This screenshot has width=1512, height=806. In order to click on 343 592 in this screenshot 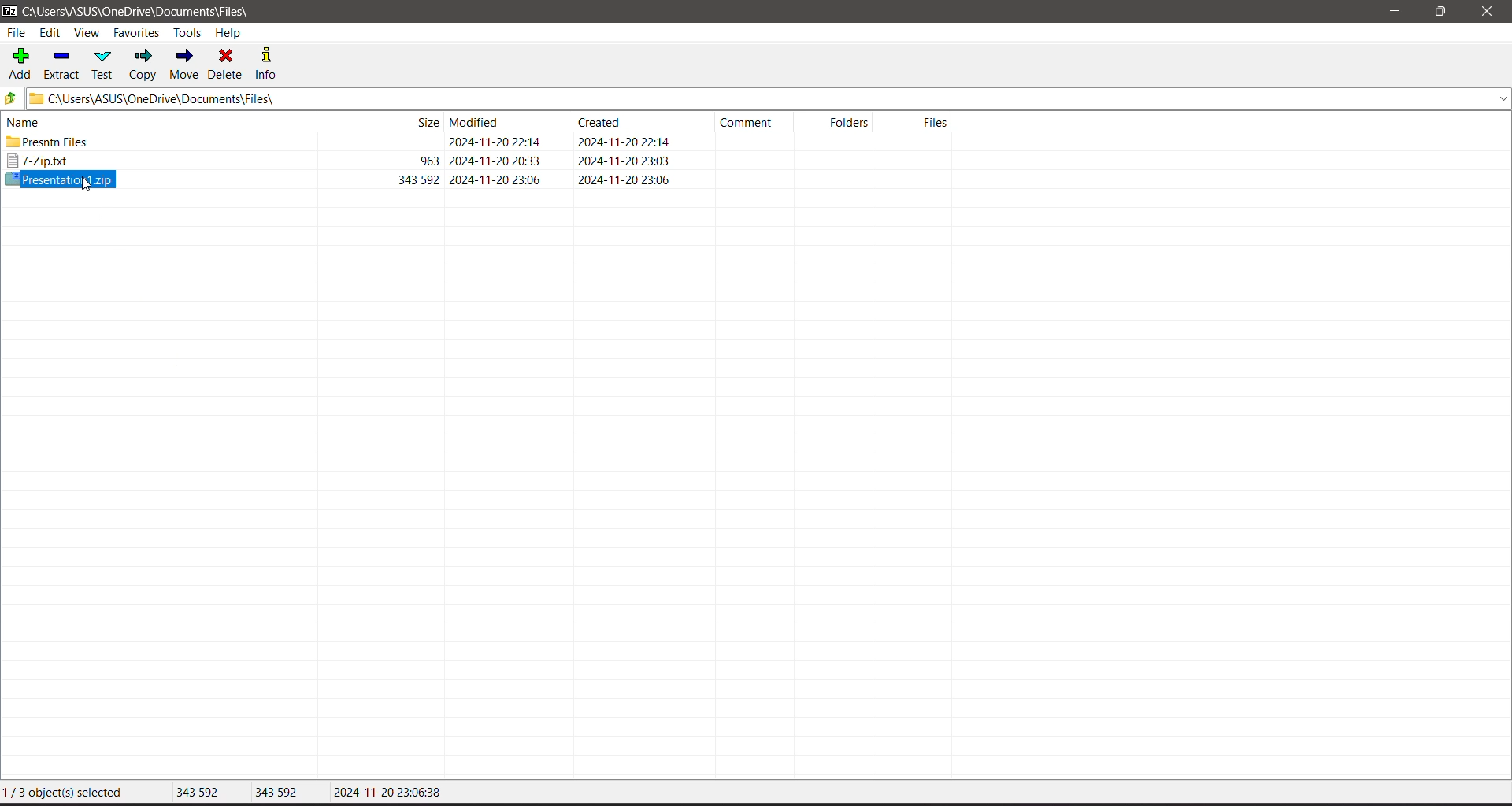, I will do `click(199, 790)`.